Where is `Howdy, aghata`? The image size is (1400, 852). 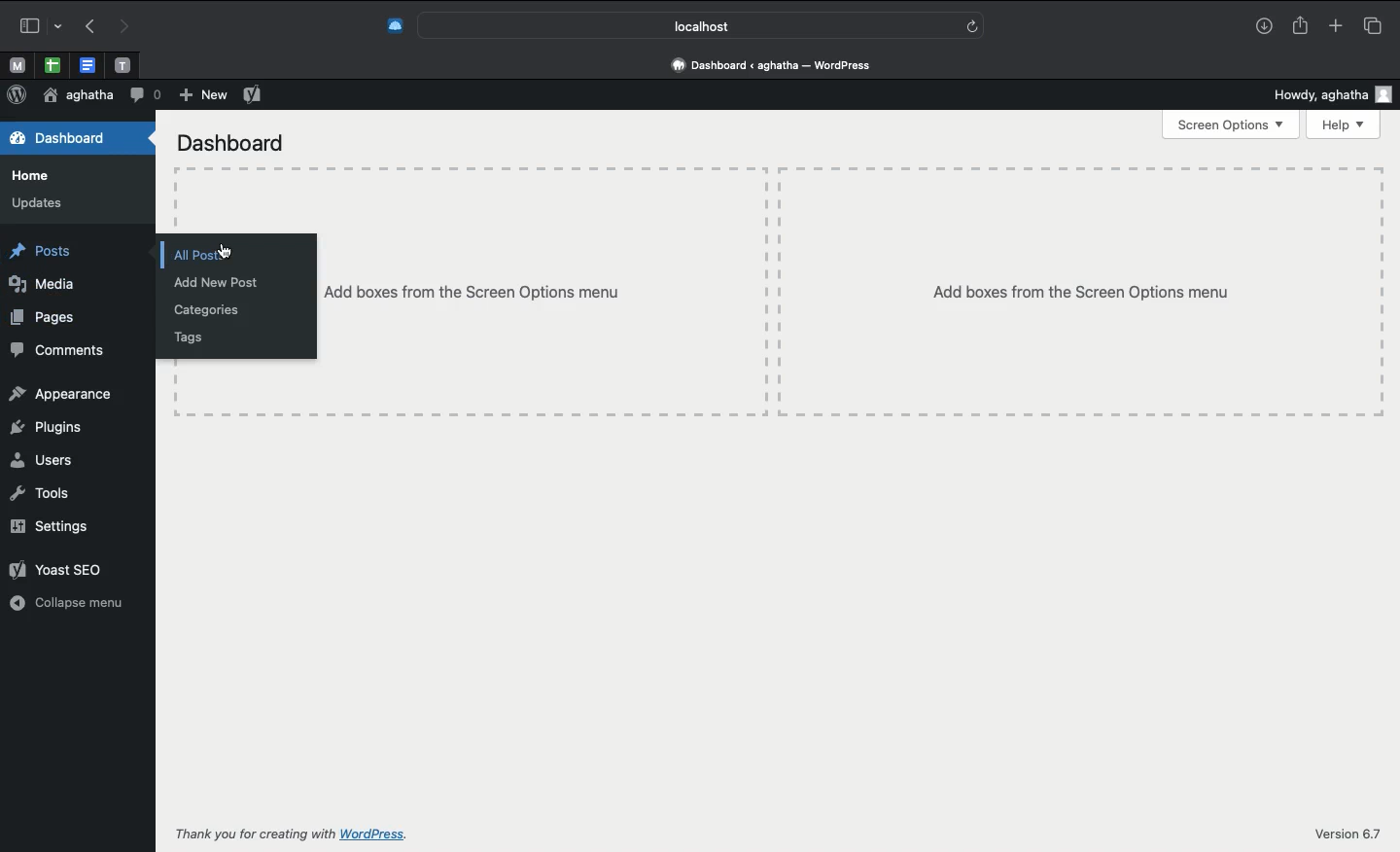 Howdy, aghata is located at coordinates (1333, 91).